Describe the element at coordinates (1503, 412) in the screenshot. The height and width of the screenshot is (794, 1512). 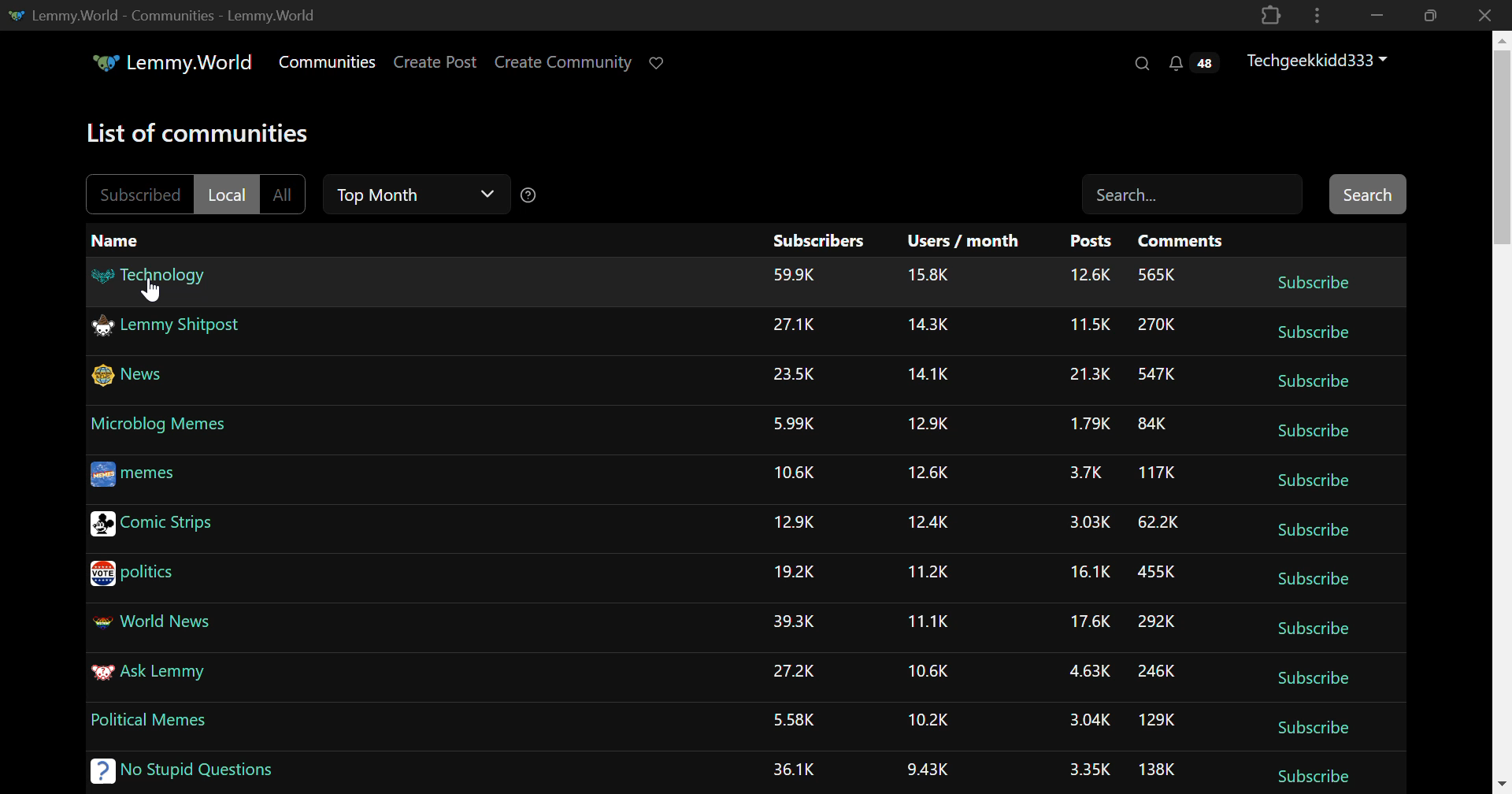
I see `Vertical Scroll Bar` at that location.